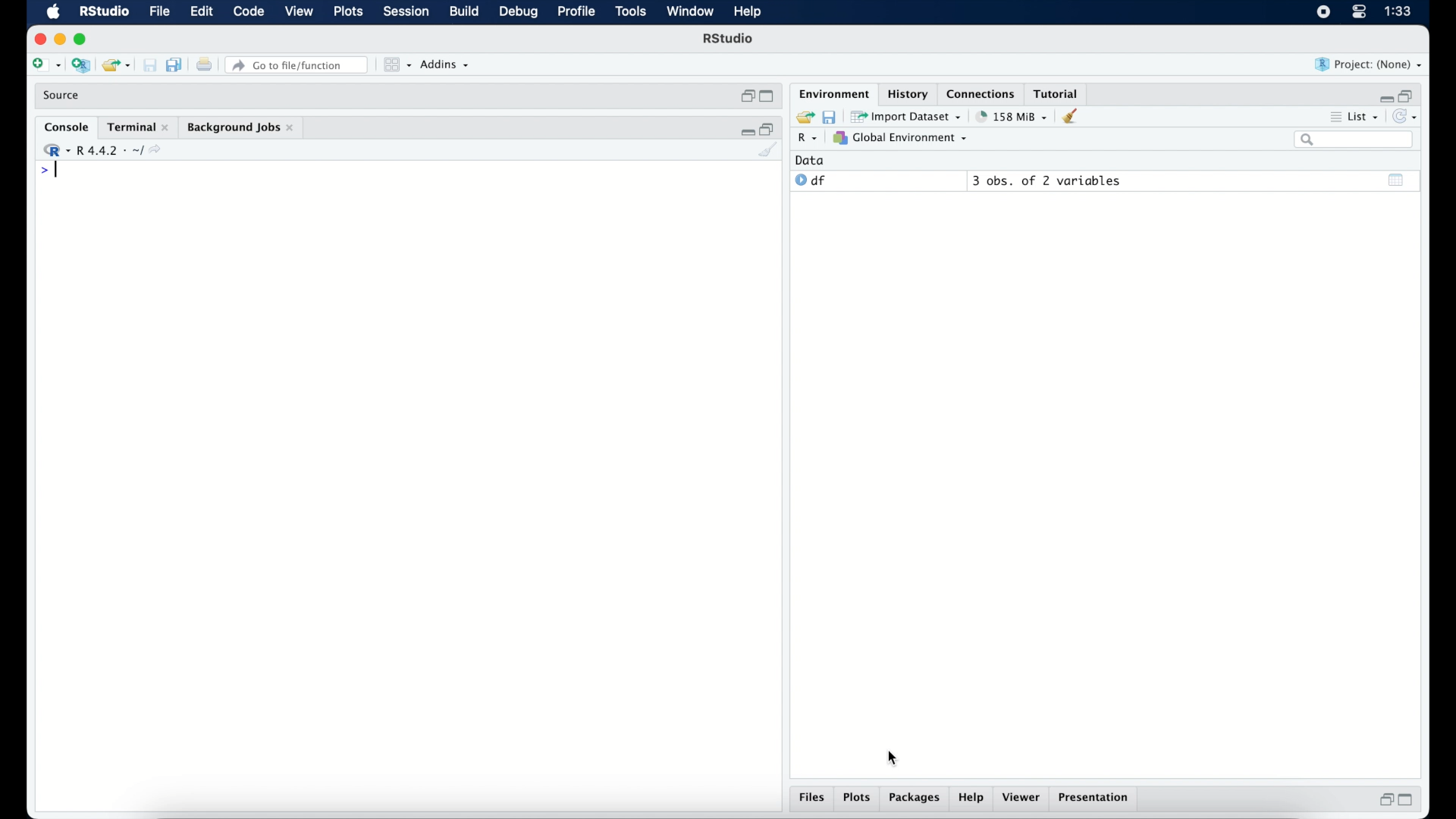 This screenshot has height=819, width=1456. Describe the element at coordinates (906, 93) in the screenshot. I see `History` at that location.